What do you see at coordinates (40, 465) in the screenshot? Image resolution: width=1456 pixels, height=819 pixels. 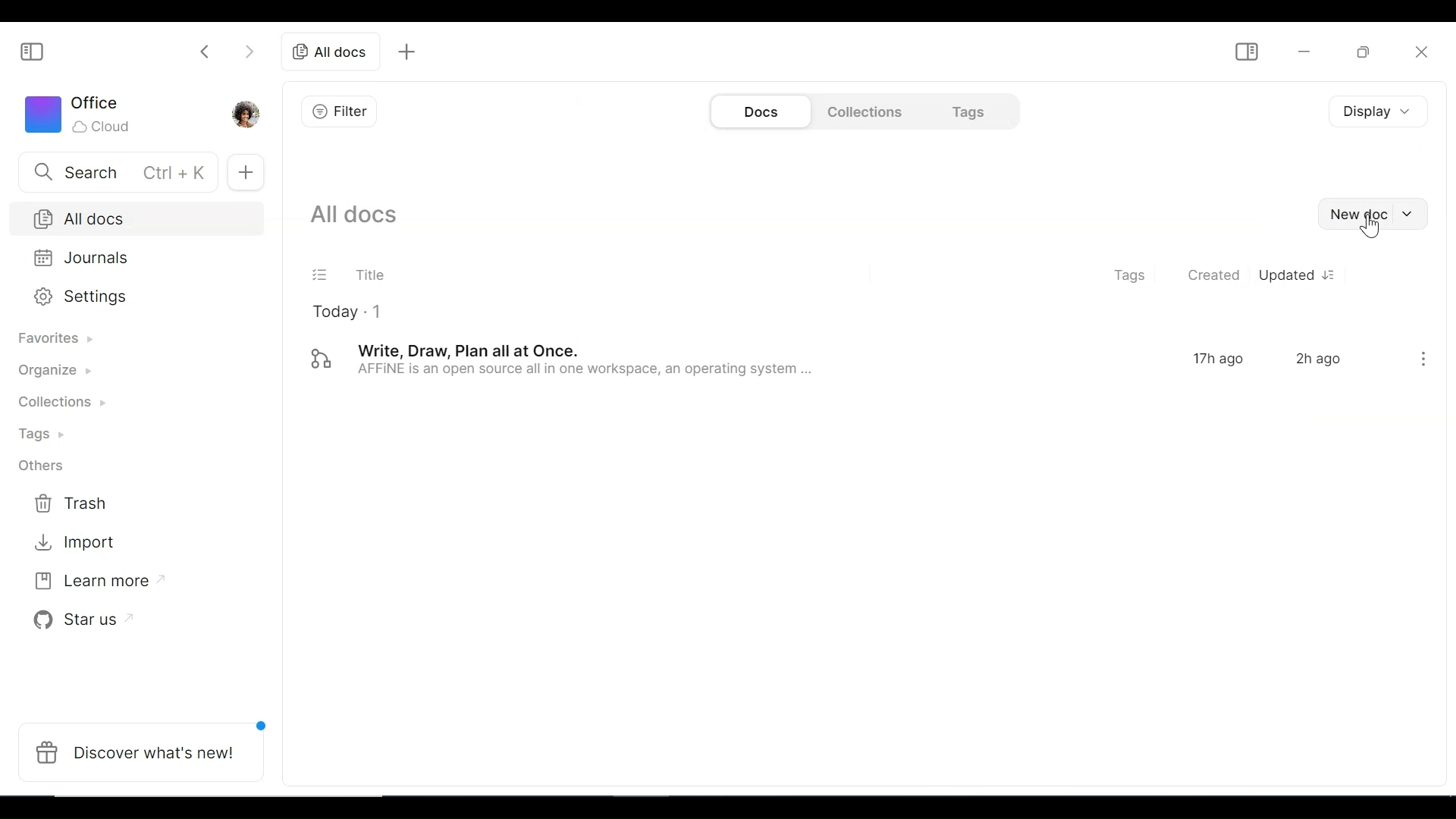 I see `Others` at bounding box center [40, 465].